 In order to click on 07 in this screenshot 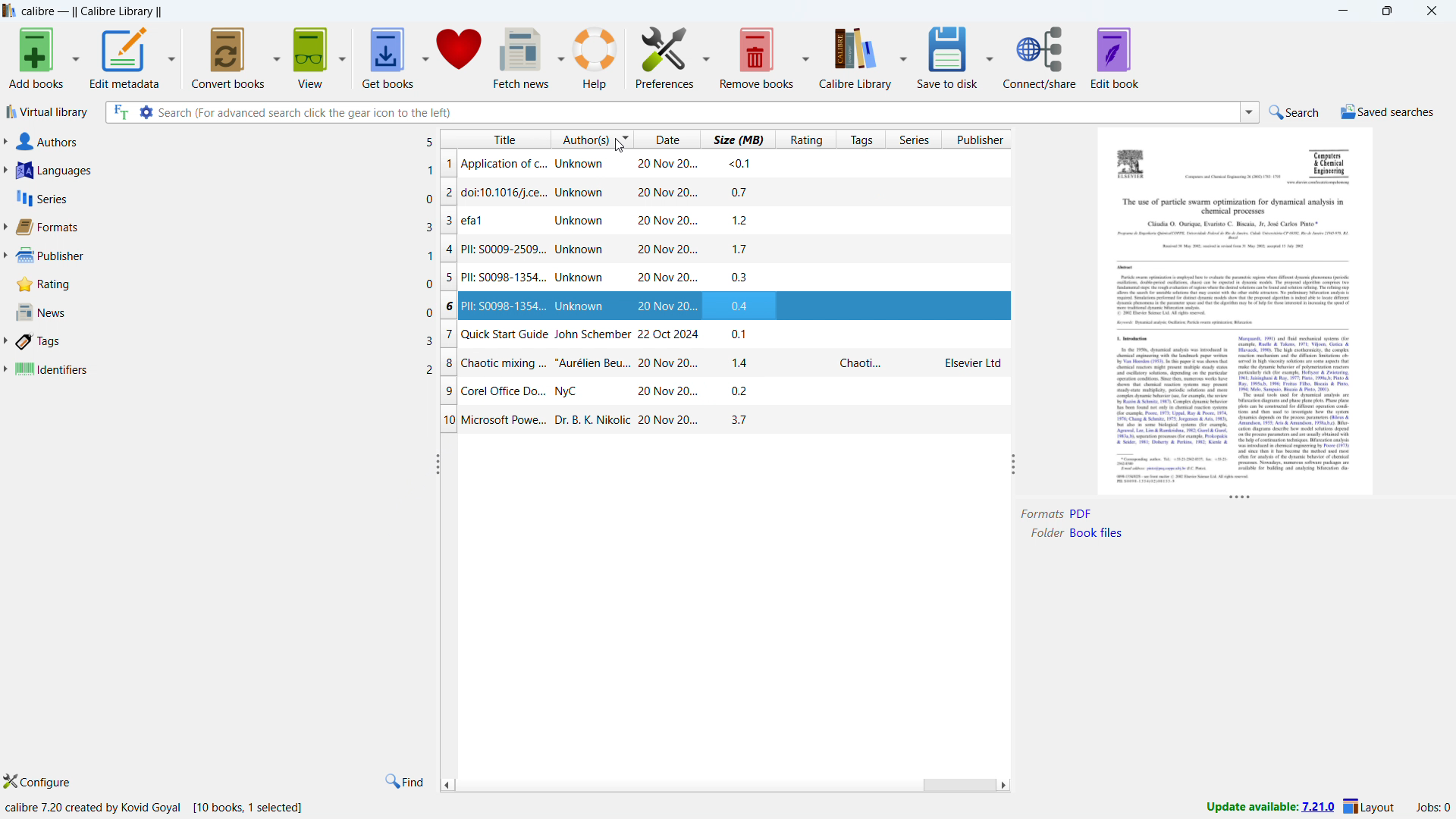, I will do `click(740, 192)`.